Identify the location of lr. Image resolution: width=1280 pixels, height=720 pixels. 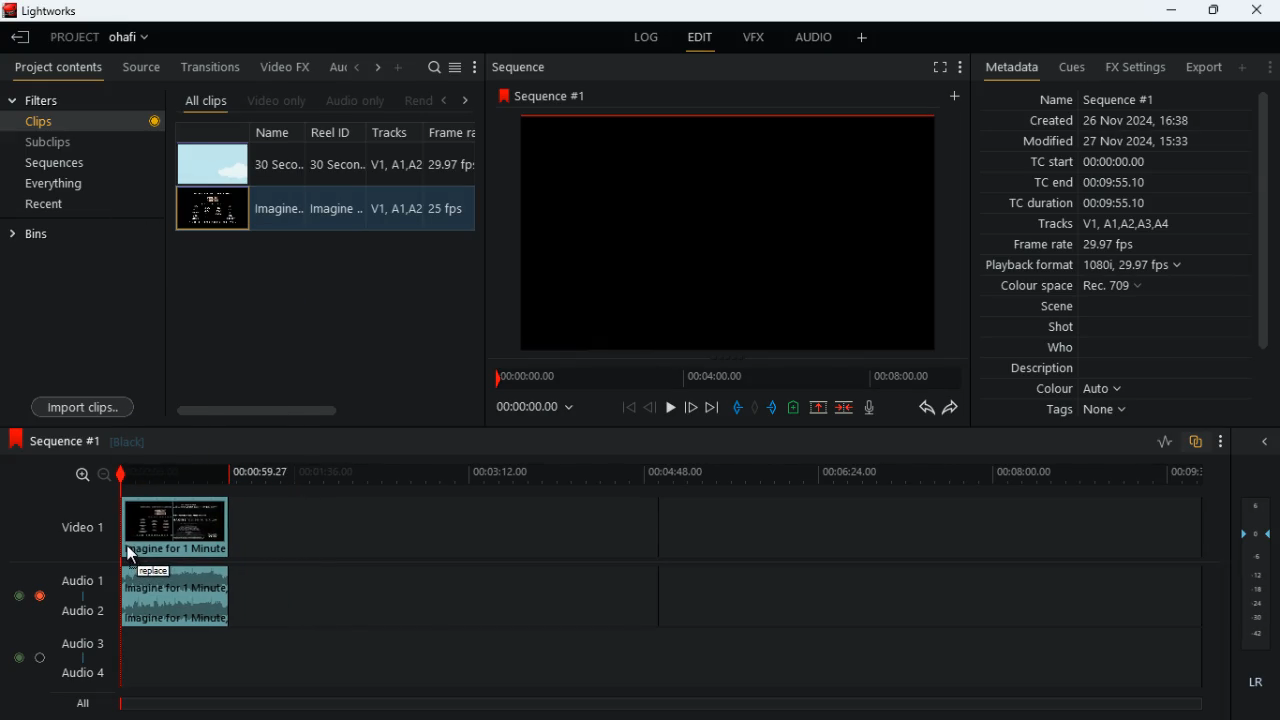
(1250, 683).